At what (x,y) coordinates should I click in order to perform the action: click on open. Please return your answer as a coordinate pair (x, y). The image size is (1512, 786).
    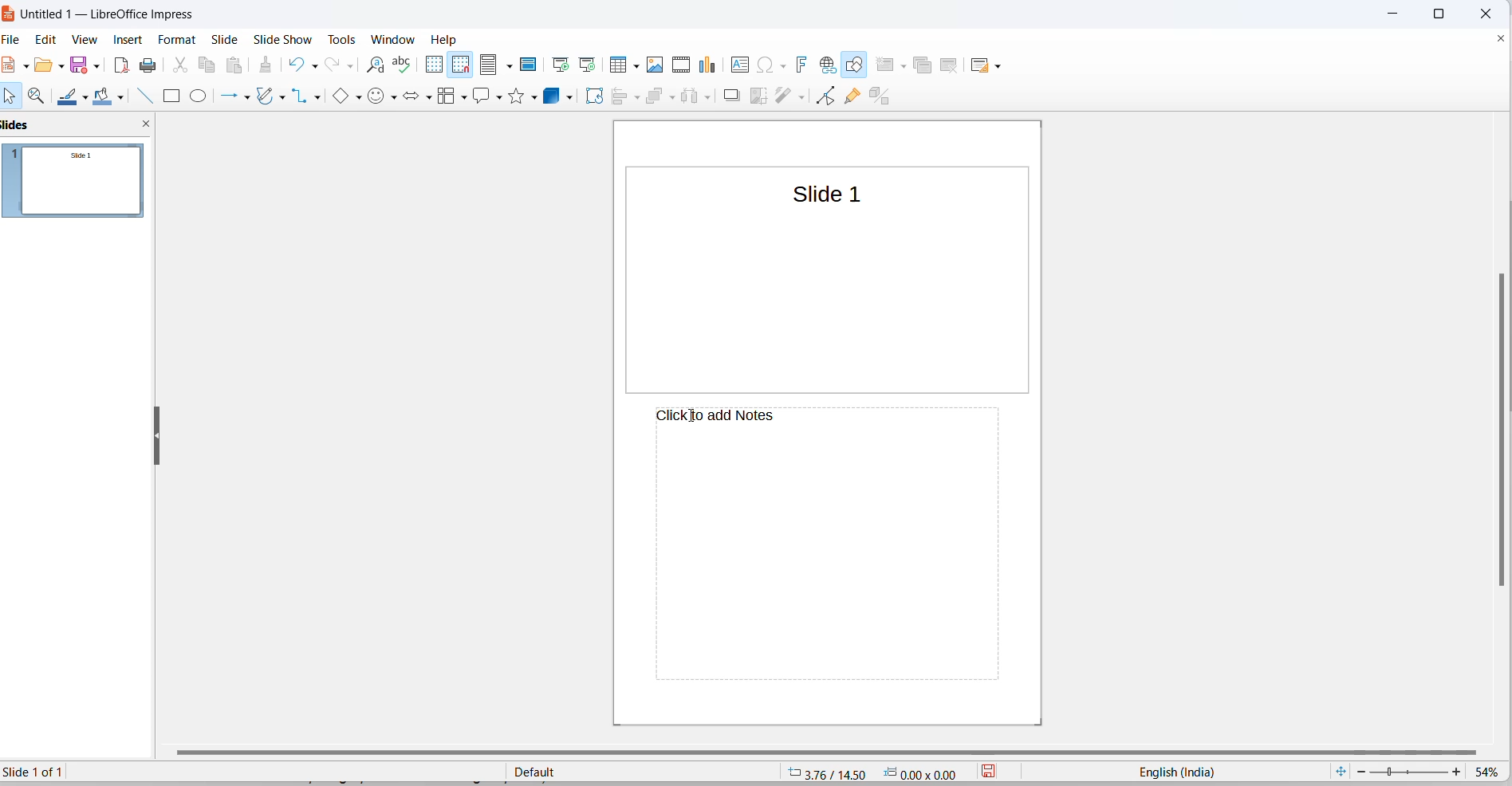
    Looking at the image, I should click on (42, 69).